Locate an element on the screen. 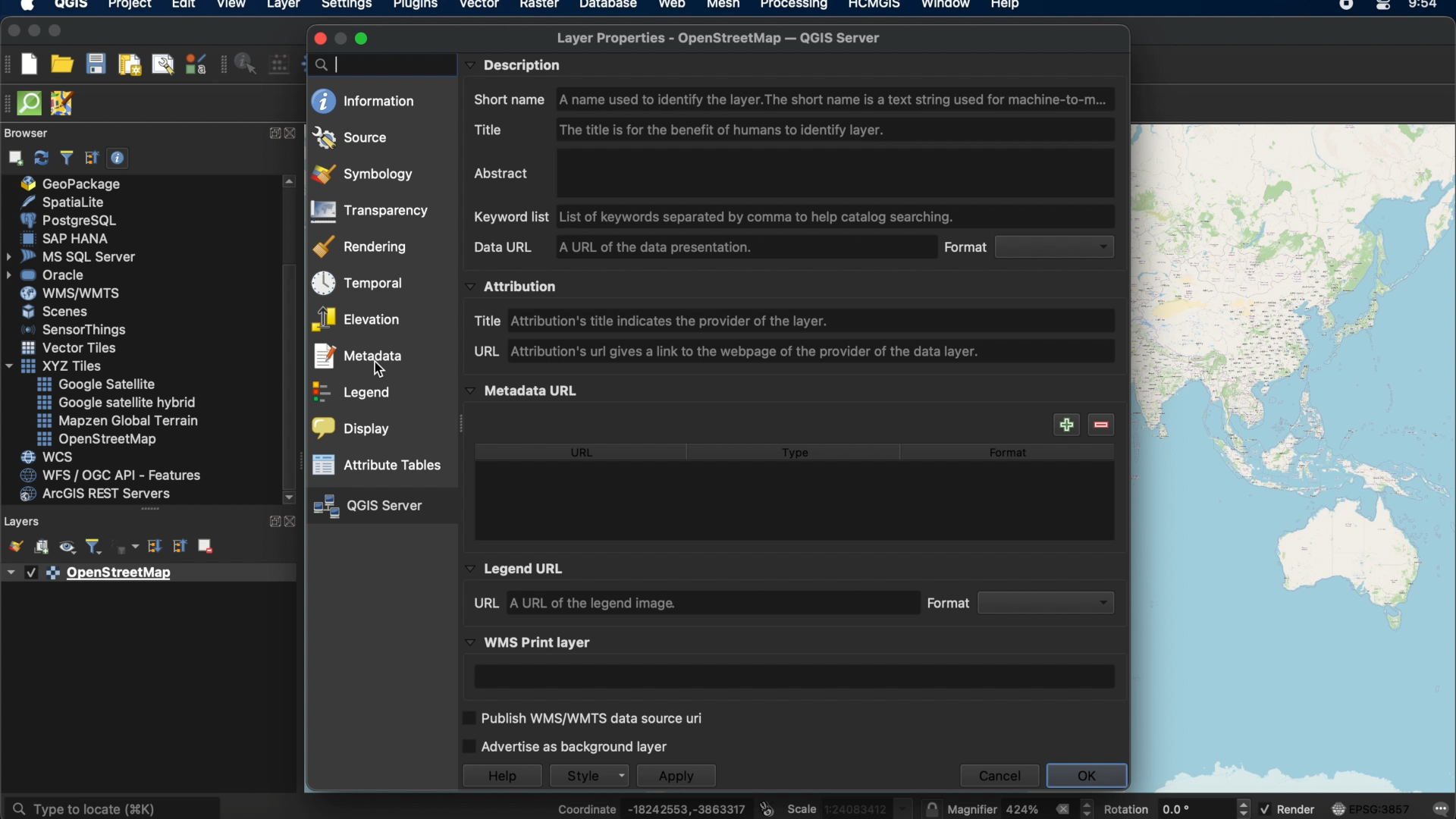 The height and width of the screenshot is (819, 1456). close is located at coordinates (320, 39).